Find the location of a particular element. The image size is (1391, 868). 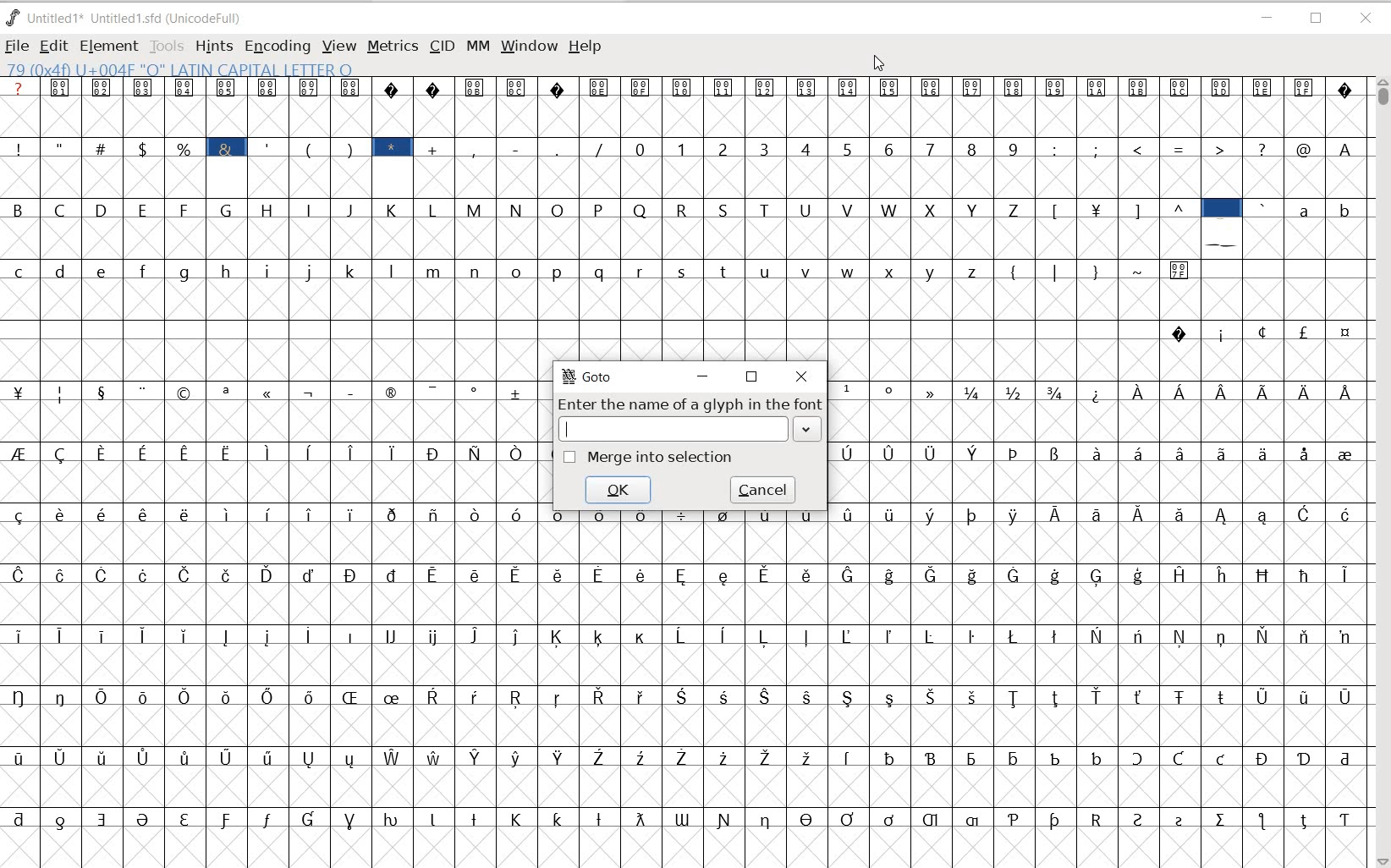

Input field is located at coordinates (674, 429).